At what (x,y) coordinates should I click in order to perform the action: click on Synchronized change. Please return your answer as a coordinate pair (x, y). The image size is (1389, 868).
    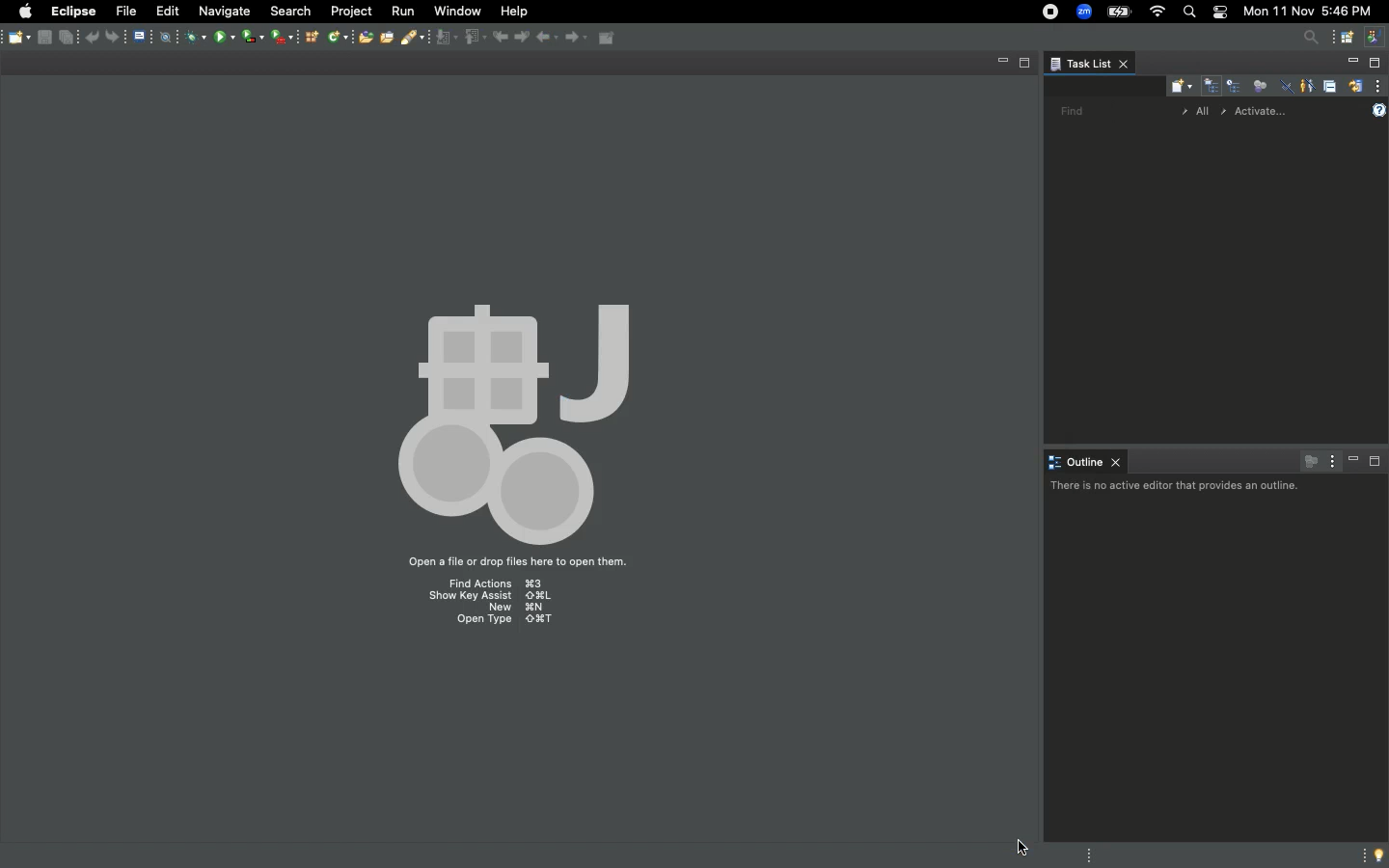
    Looking at the image, I should click on (1355, 84).